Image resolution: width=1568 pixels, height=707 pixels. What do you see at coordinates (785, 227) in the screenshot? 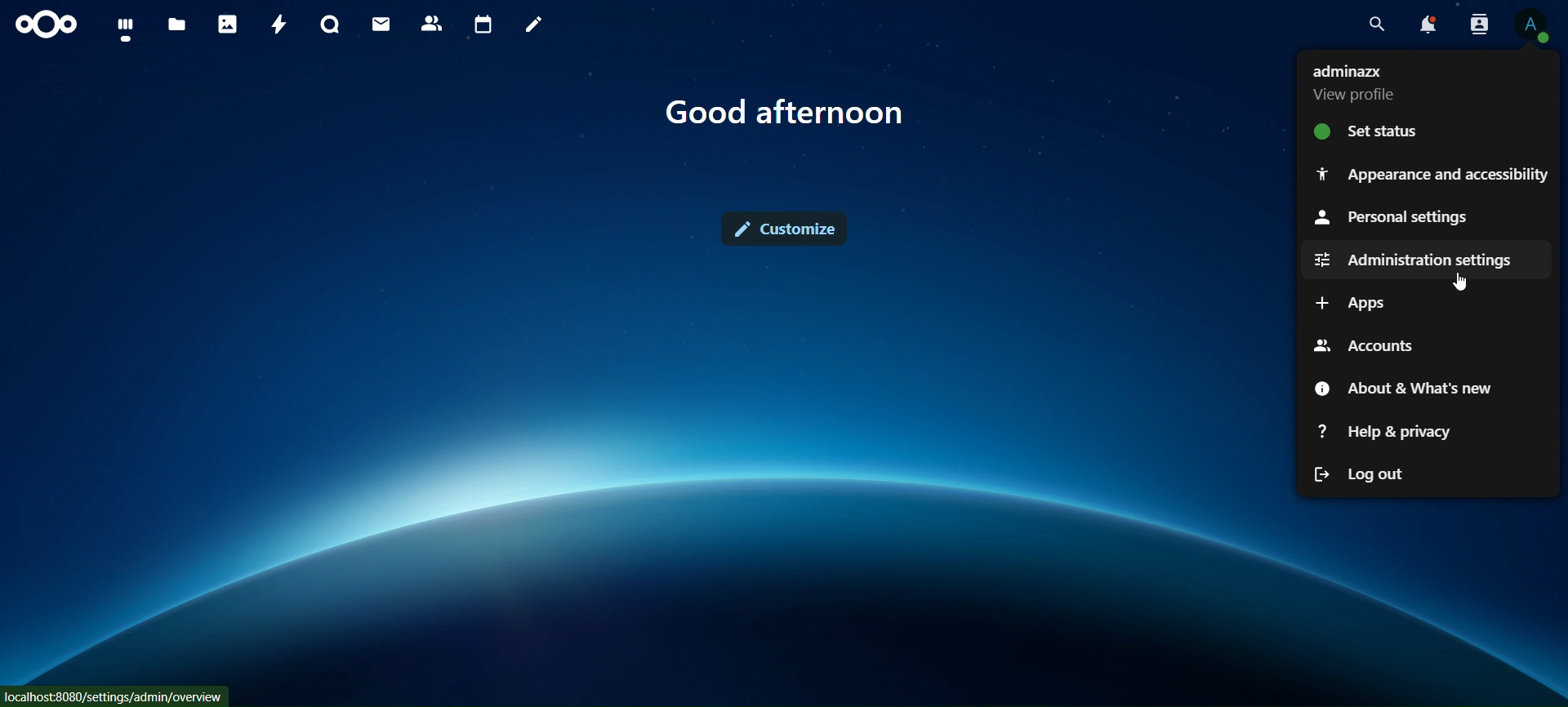
I see `customize` at bounding box center [785, 227].